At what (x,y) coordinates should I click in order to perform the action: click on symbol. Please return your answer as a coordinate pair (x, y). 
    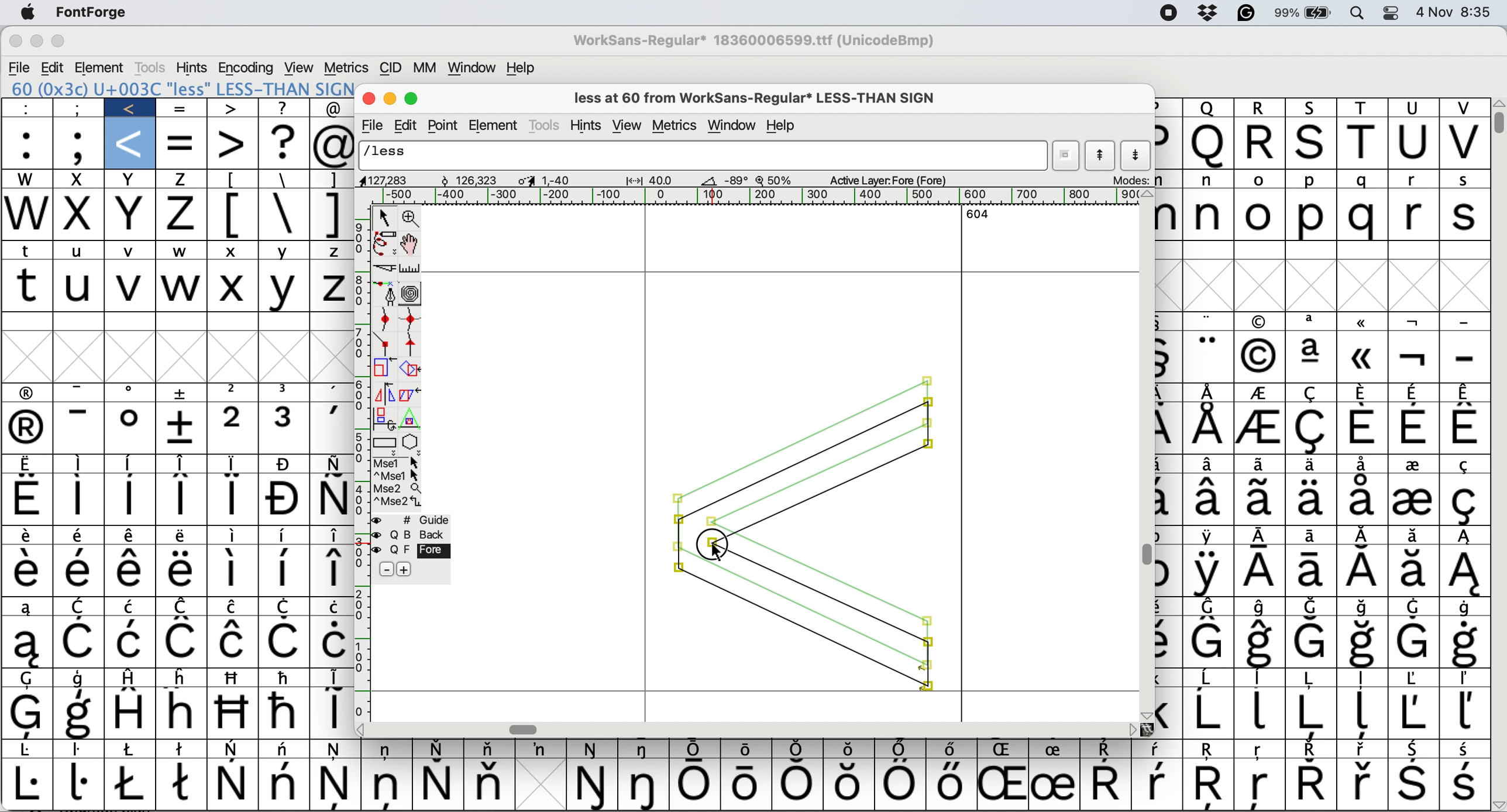
    Looking at the image, I should click on (1167, 574).